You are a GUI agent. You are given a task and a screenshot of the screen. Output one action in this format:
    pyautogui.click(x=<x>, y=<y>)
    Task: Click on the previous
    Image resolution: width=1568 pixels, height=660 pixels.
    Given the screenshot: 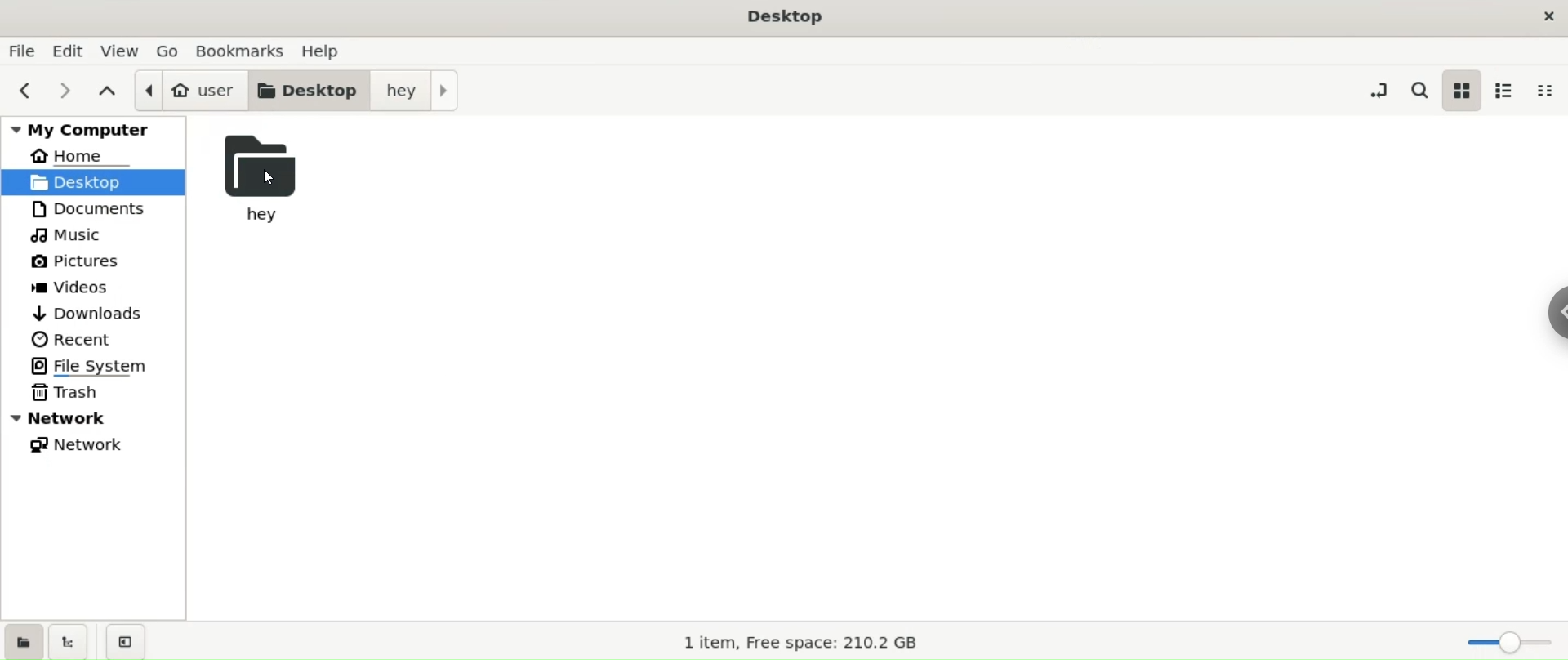 What is the action you would take?
    pyautogui.click(x=29, y=89)
    